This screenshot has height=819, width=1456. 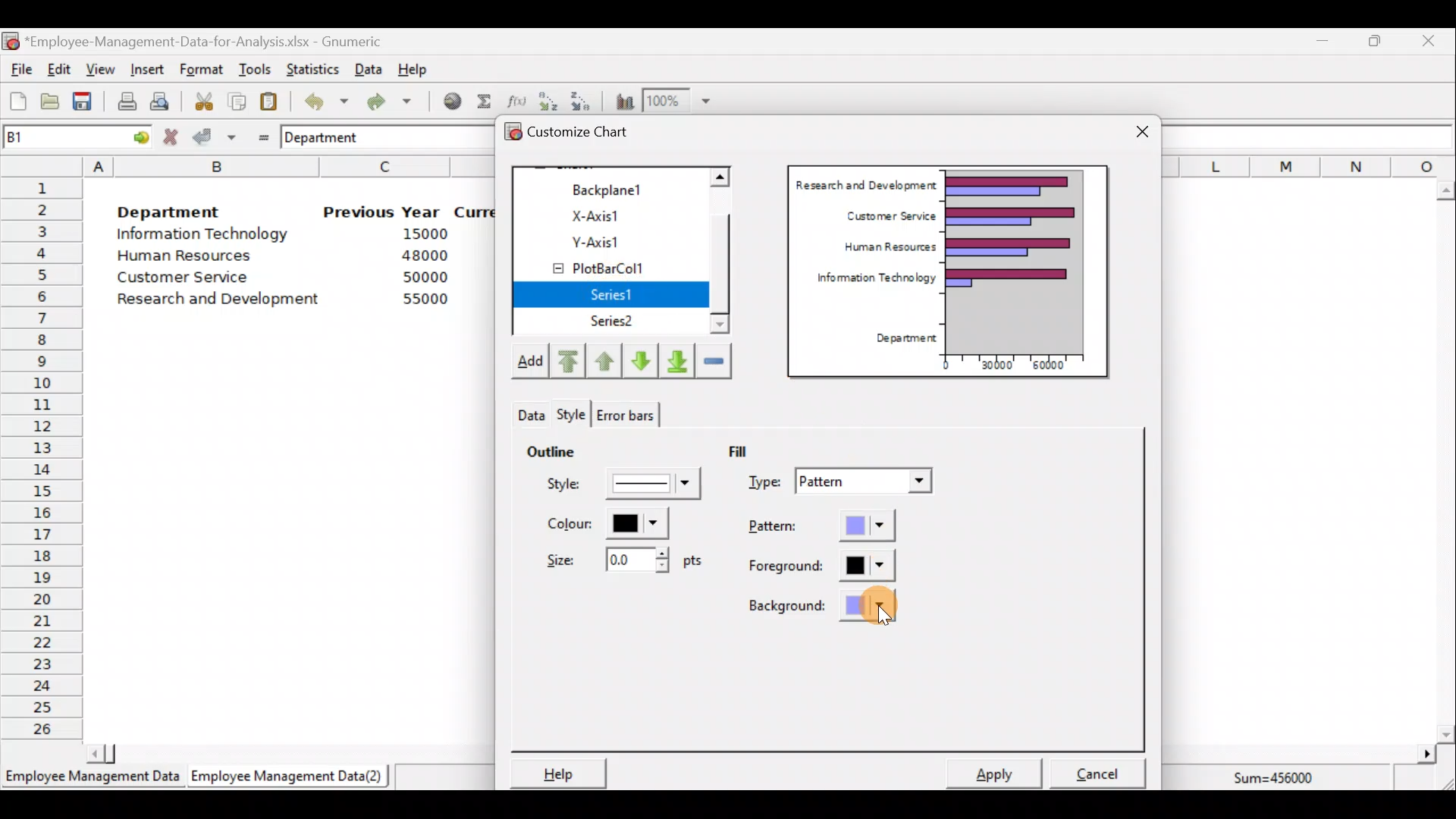 What do you see at coordinates (290, 777) in the screenshot?
I see `Employee Management Data (2)` at bounding box center [290, 777].